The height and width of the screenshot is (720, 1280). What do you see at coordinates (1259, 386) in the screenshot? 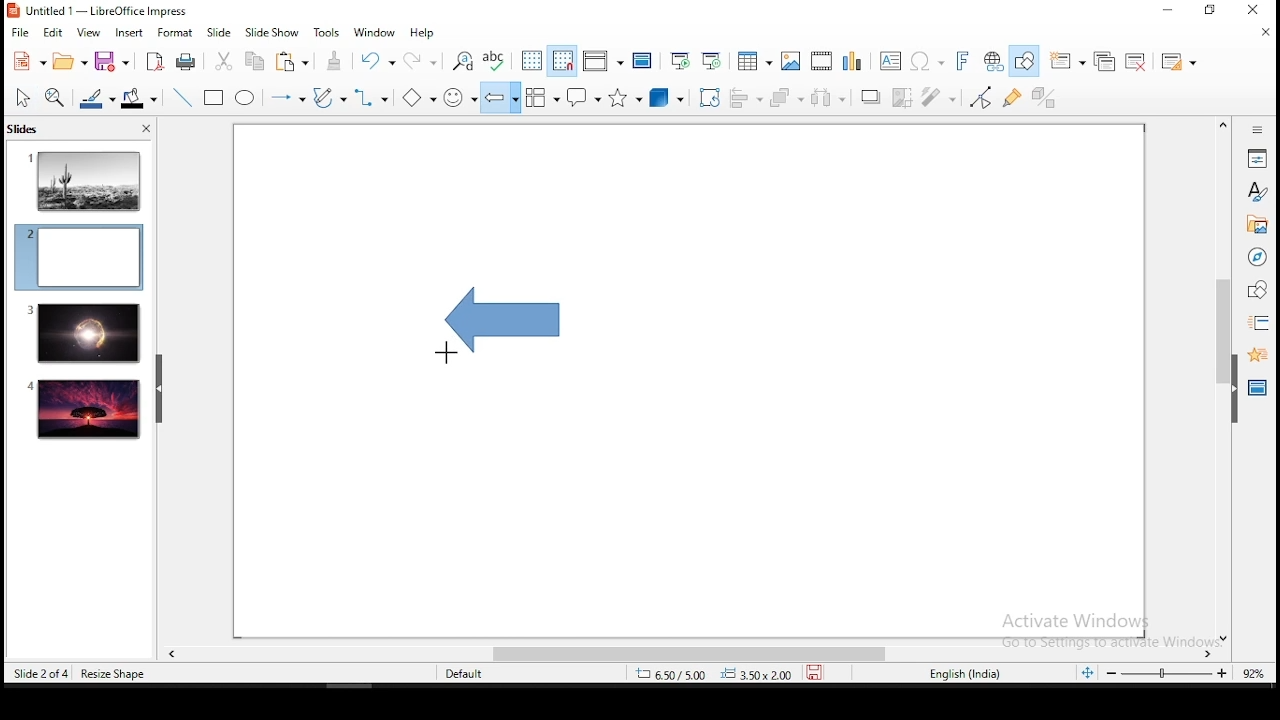
I see `master slides` at bounding box center [1259, 386].